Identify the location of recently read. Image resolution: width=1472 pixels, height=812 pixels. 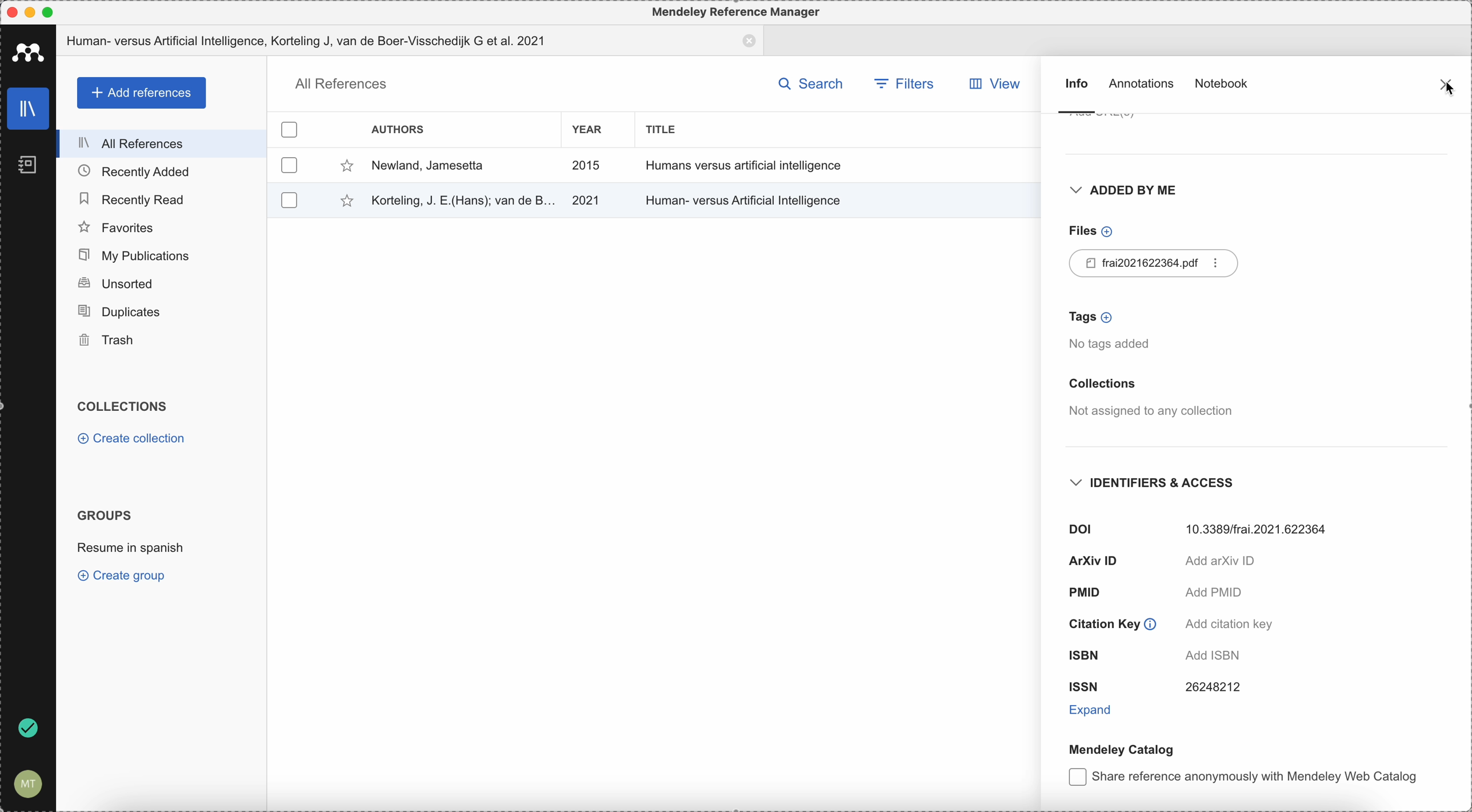
(161, 198).